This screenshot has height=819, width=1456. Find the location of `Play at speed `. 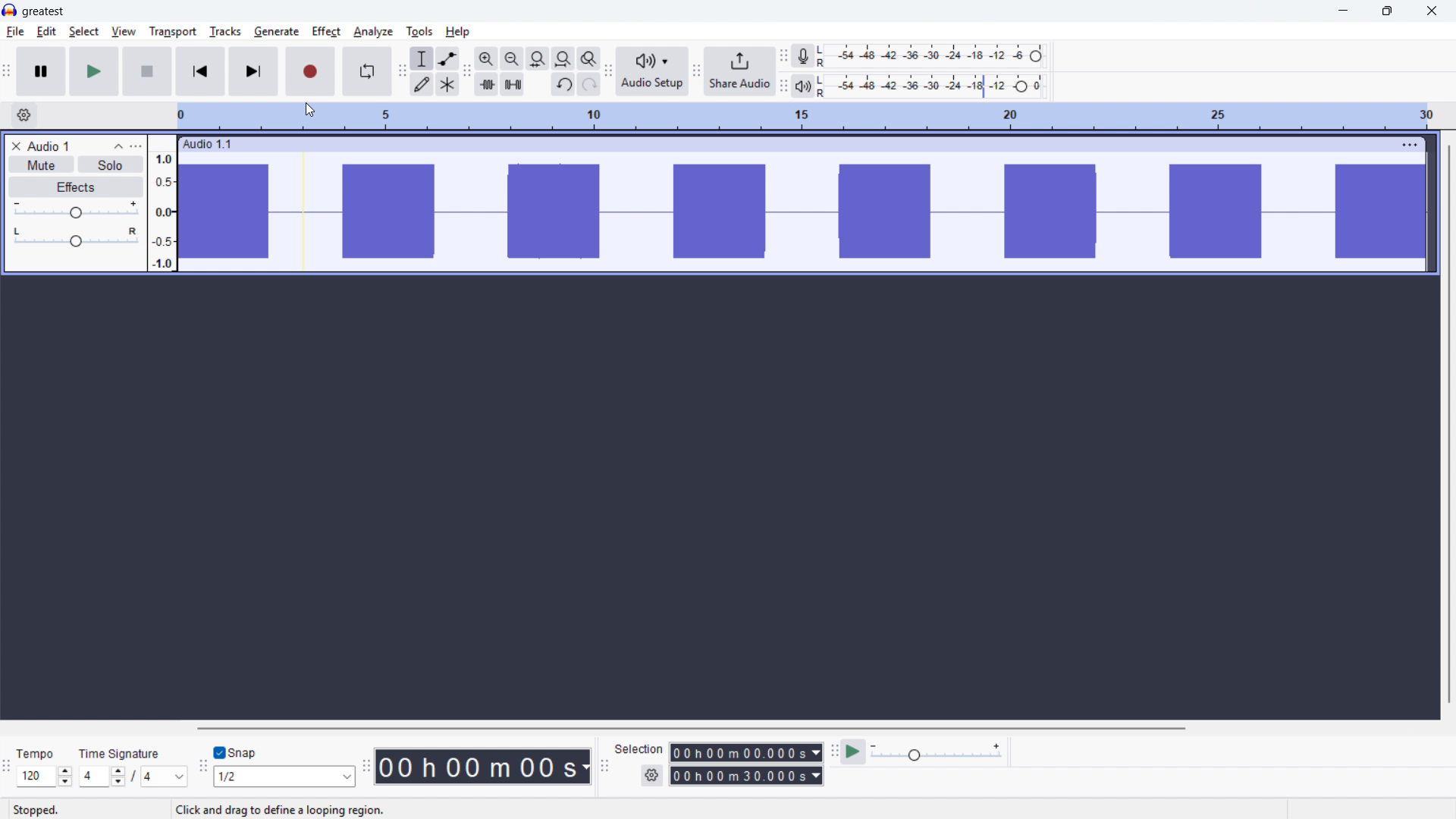

Play at speed  is located at coordinates (854, 752).